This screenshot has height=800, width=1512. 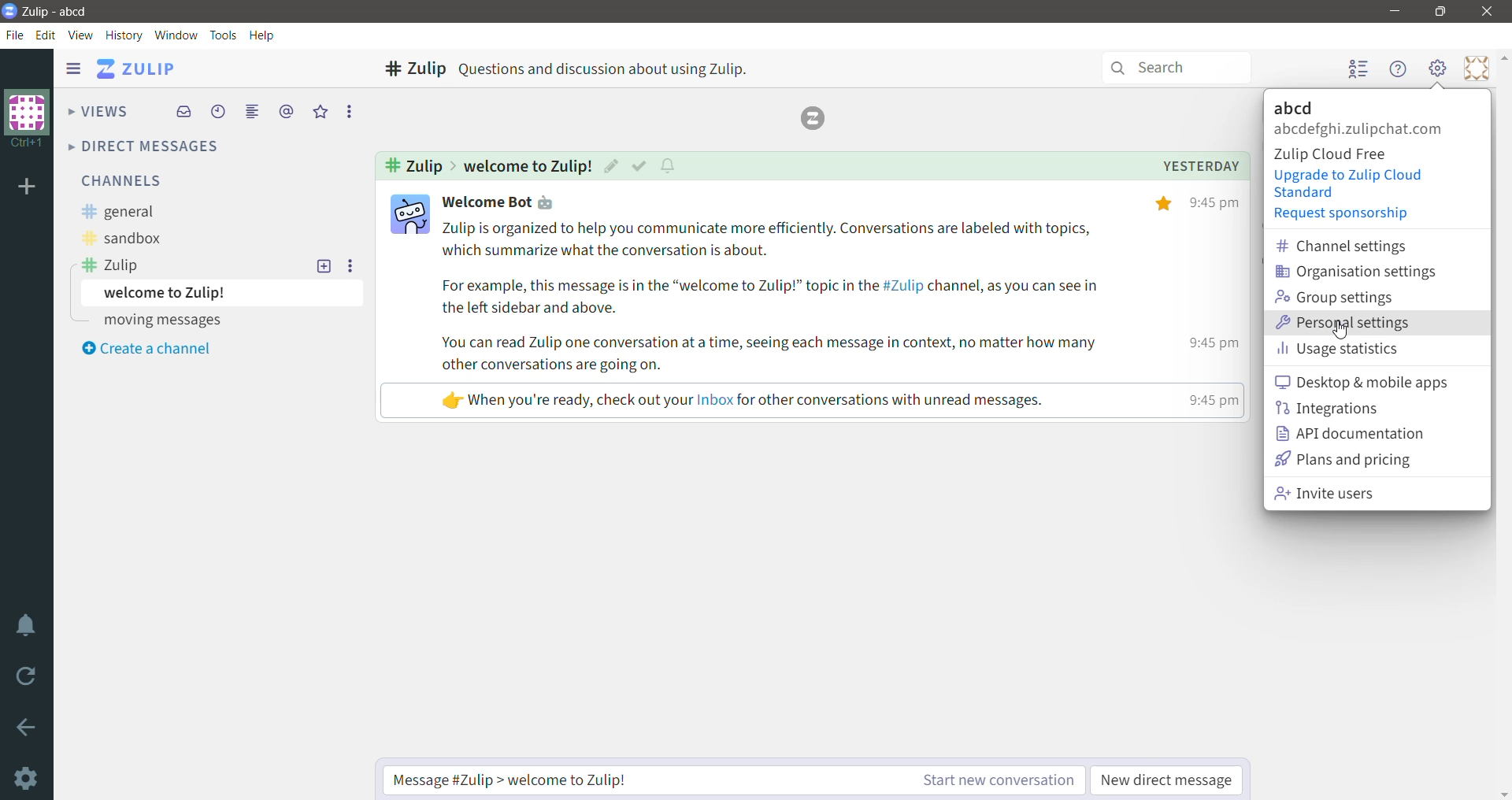 What do you see at coordinates (501, 203) in the screenshot?
I see `(321 Welcome Bot ¢y` at bounding box center [501, 203].